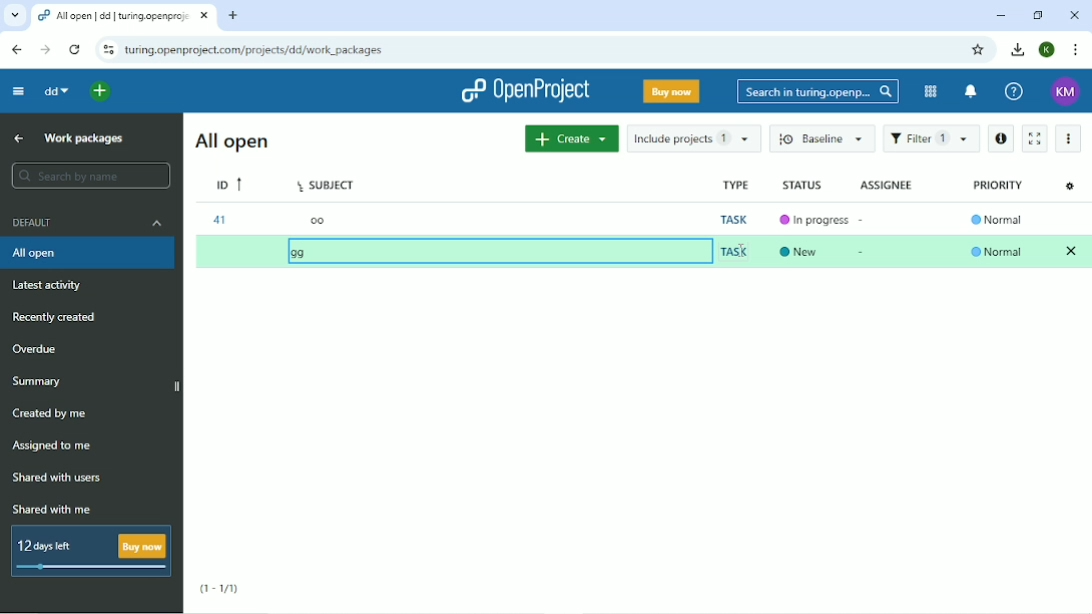 The height and width of the screenshot is (614, 1092). Describe the element at coordinates (51, 414) in the screenshot. I see `Created by me` at that location.